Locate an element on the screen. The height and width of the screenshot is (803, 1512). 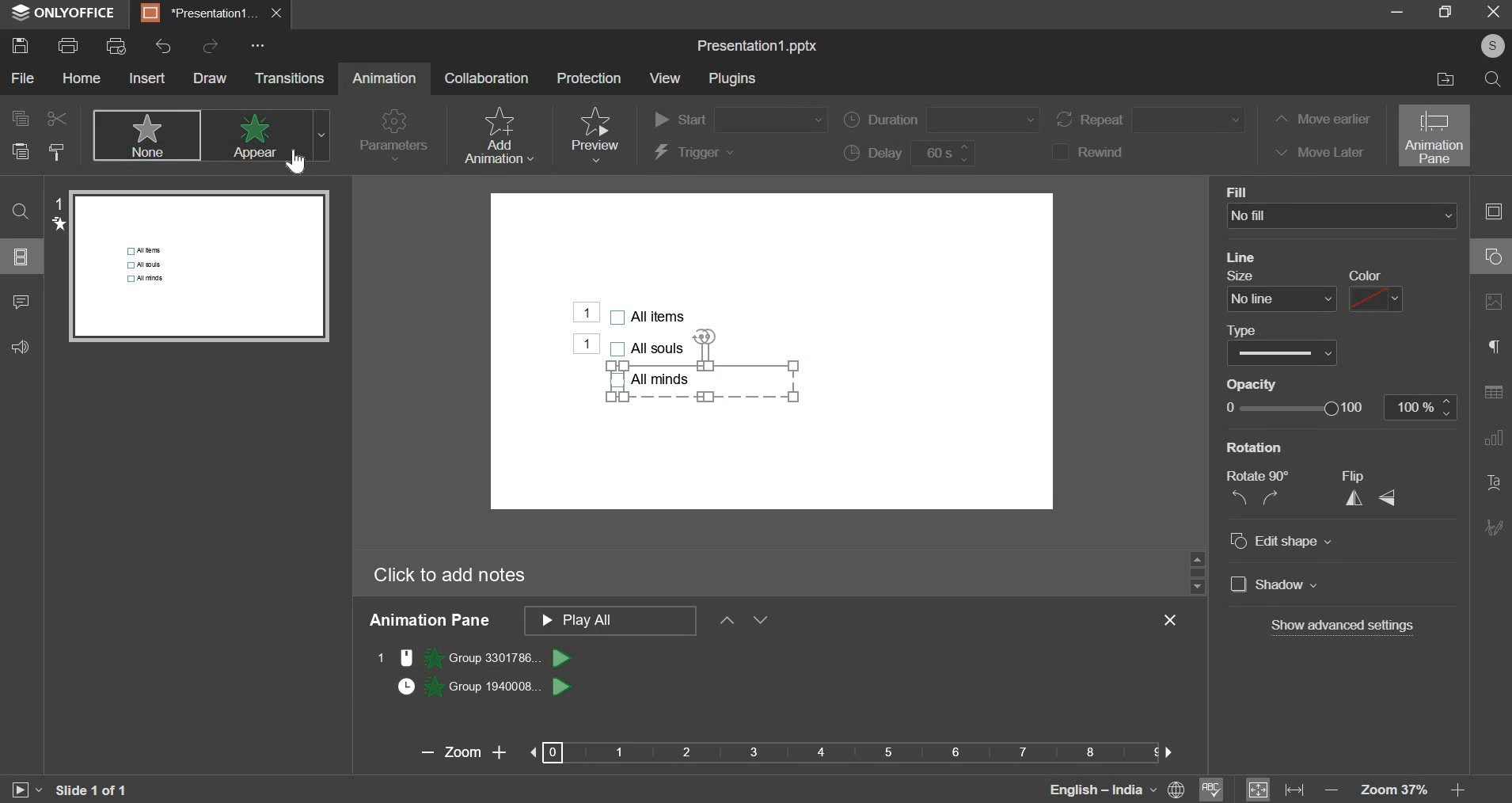
Shadow  is located at coordinates (1286, 585).